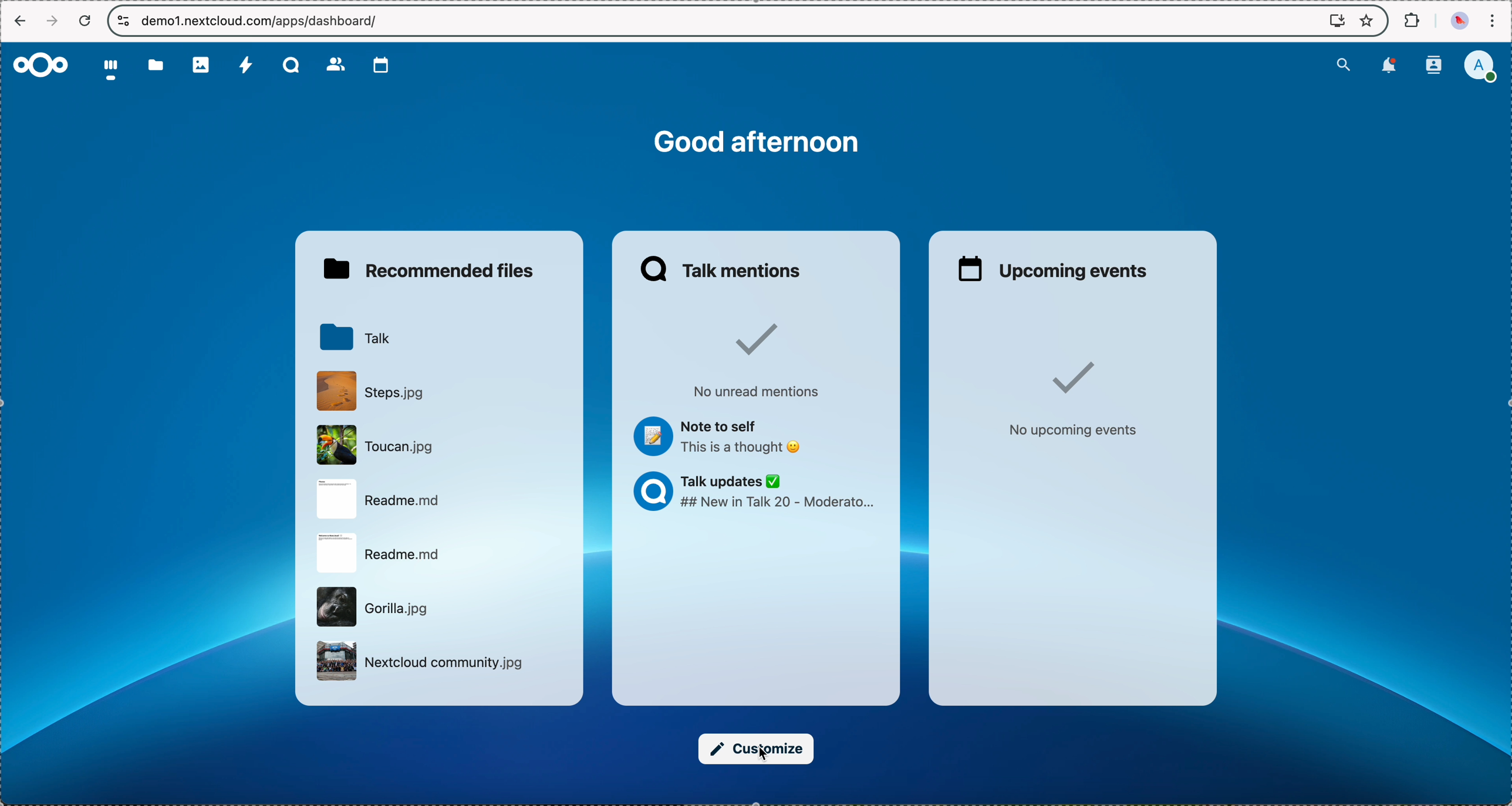 The width and height of the screenshot is (1512, 806). I want to click on screen, so click(1337, 21).